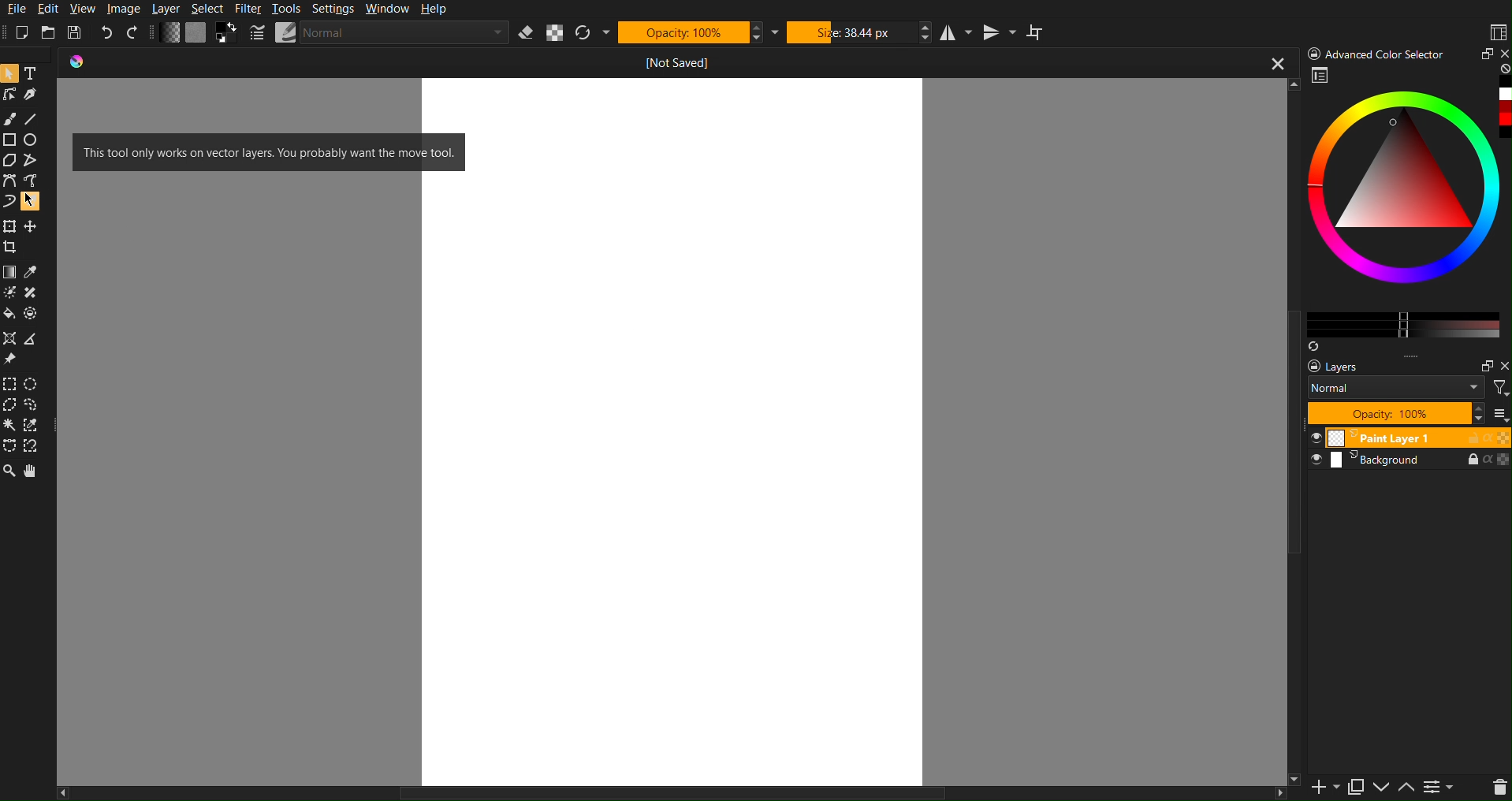 Image resolution: width=1512 pixels, height=801 pixels. Describe the element at coordinates (212, 8) in the screenshot. I see `Select` at that location.